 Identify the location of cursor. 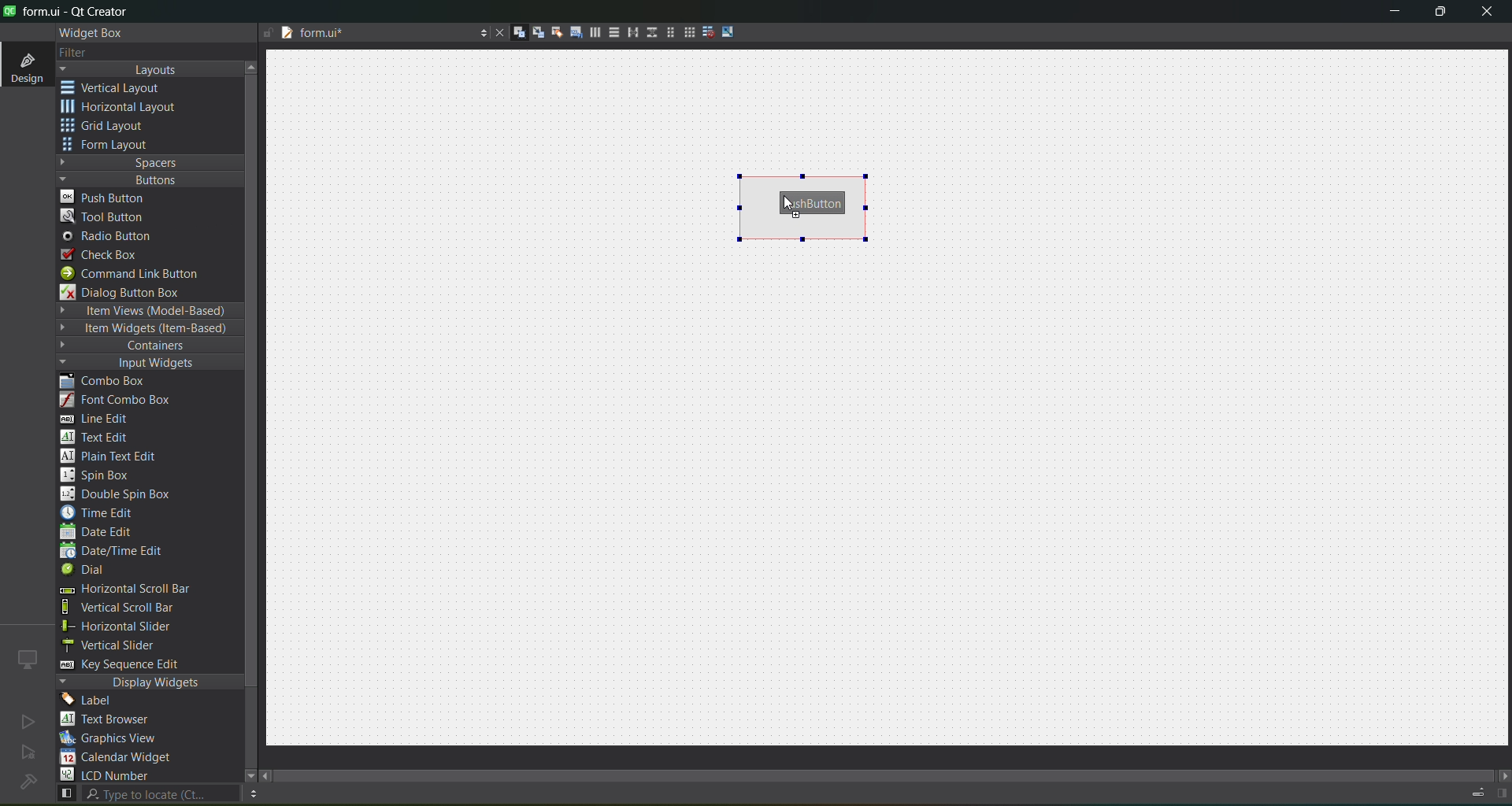
(791, 202).